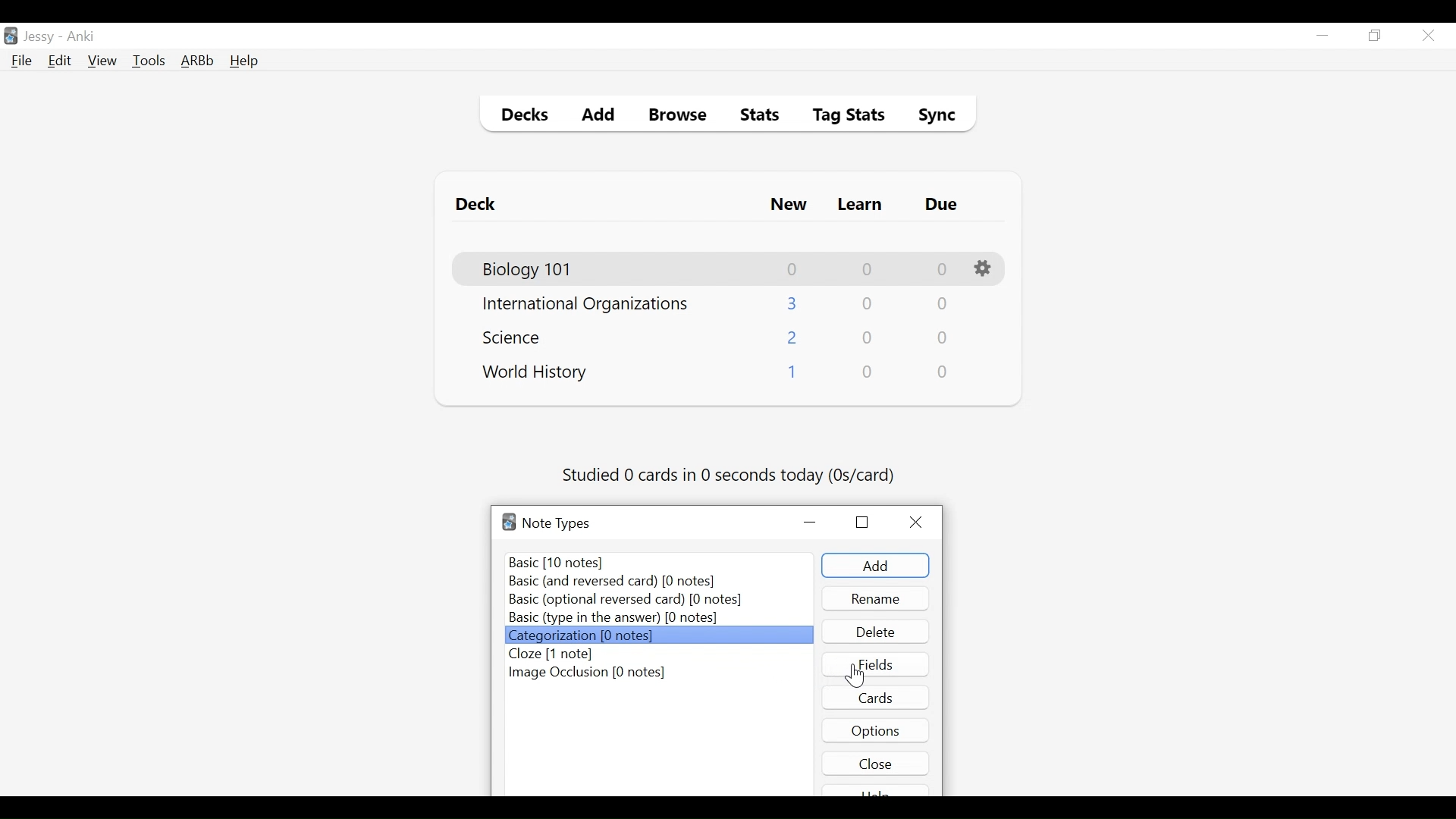  What do you see at coordinates (866, 304) in the screenshot?
I see `Learn Card Count` at bounding box center [866, 304].